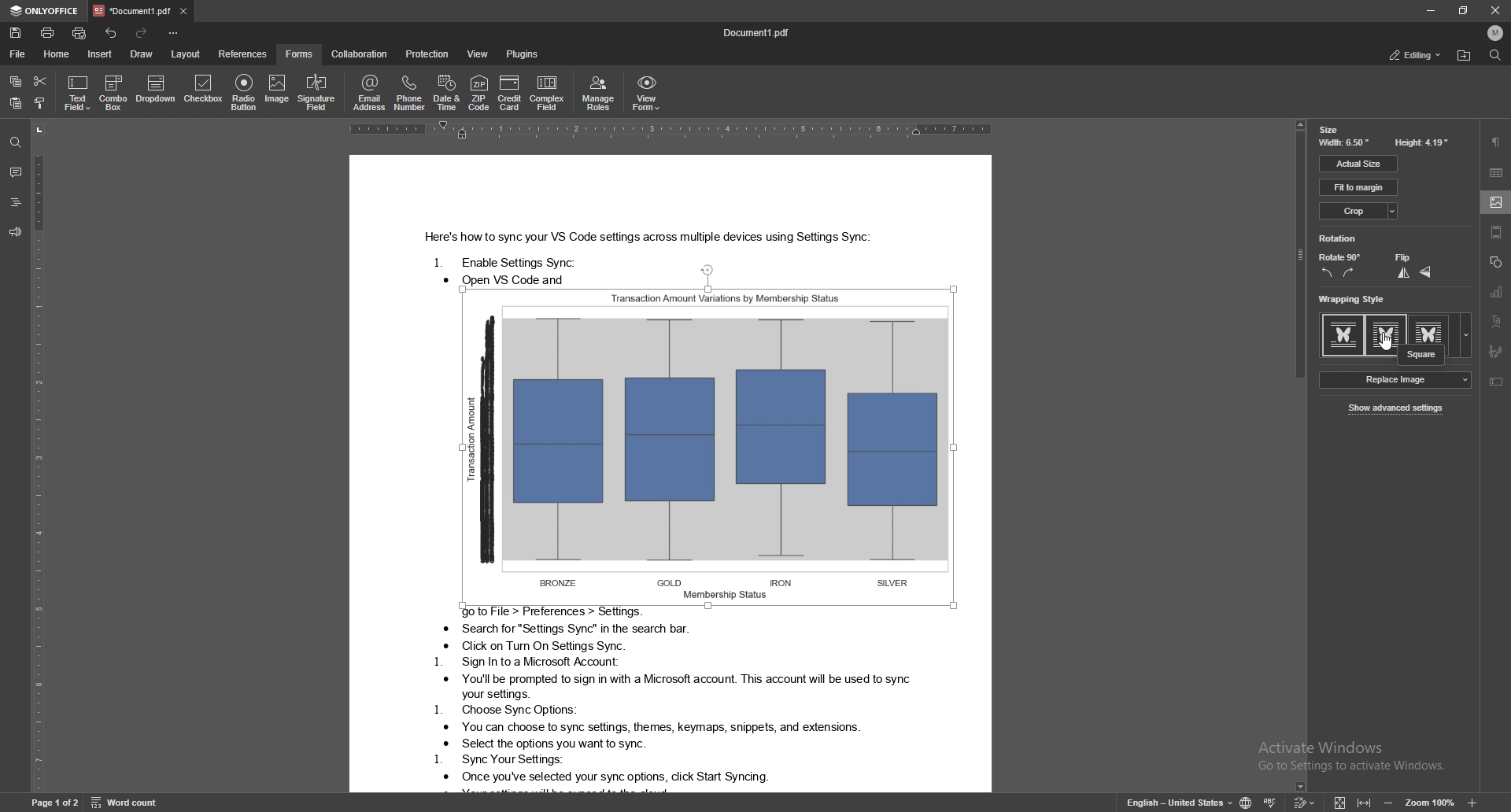 Image resolution: width=1511 pixels, height=812 pixels. I want to click on comment, so click(15, 172).